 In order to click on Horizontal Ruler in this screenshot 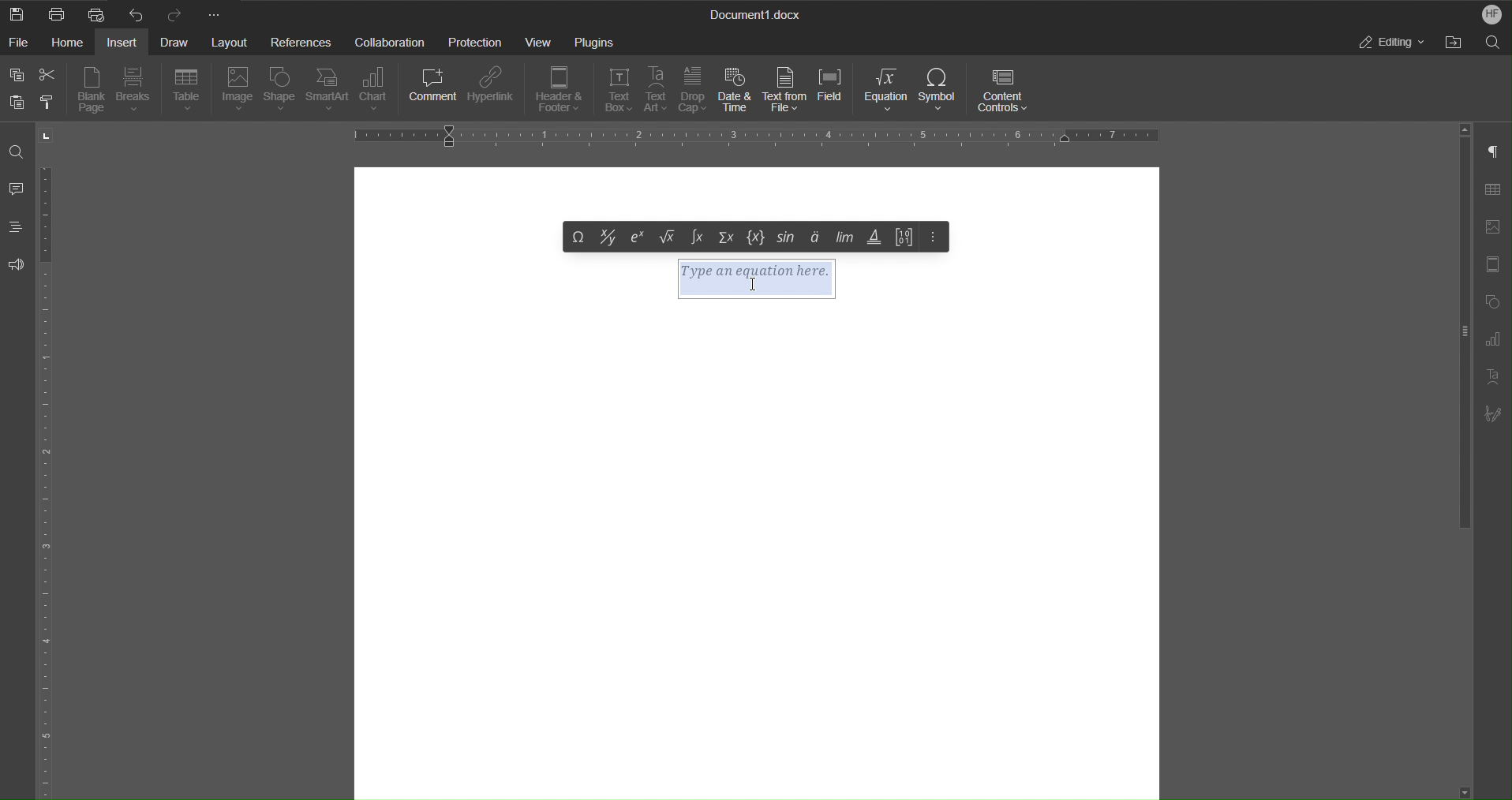, I will do `click(765, 134)`.